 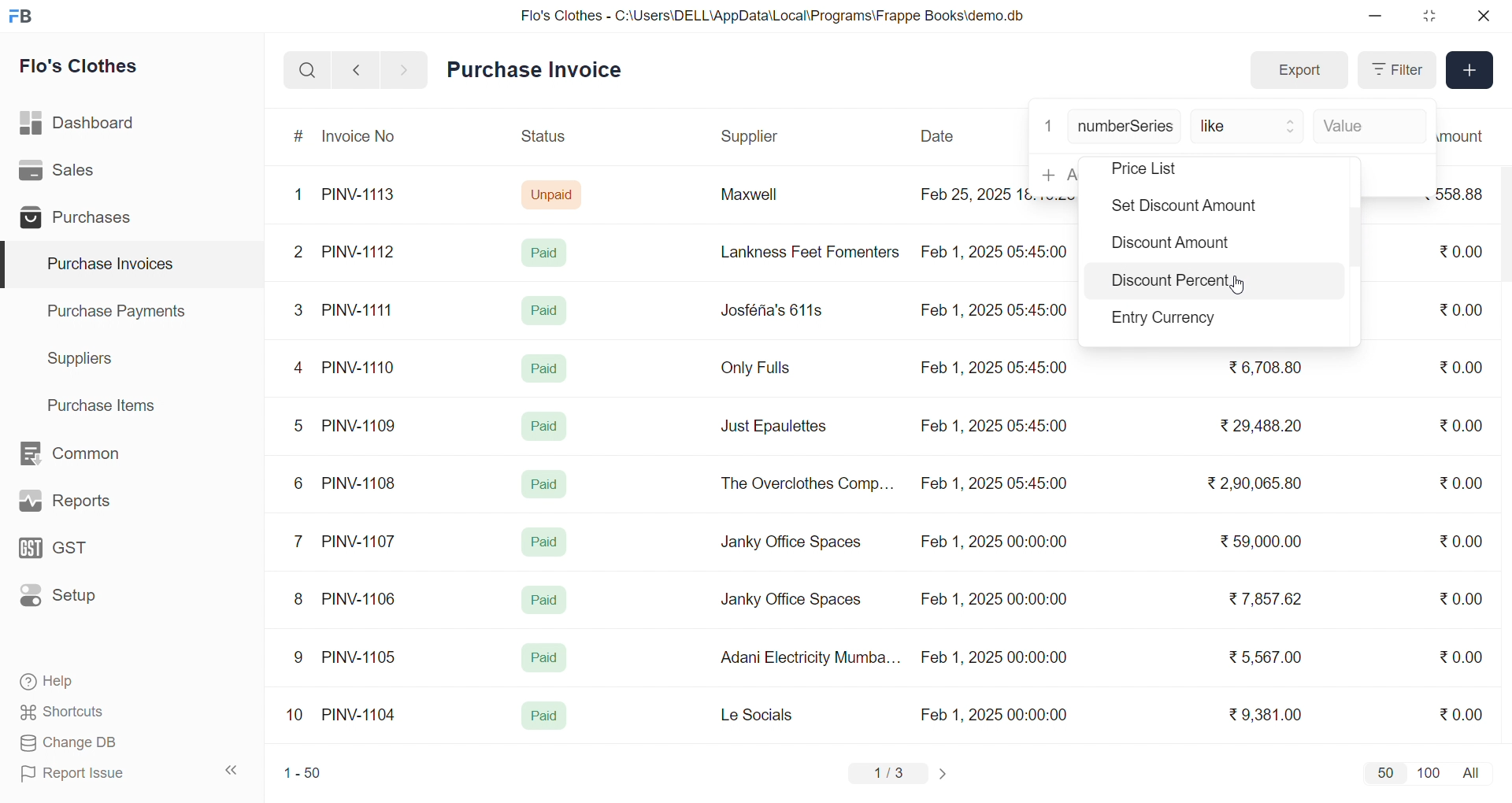 What do you see at coordinates (307, 70) in the screenshot?
I see `search` at bounding box center [307, 70].